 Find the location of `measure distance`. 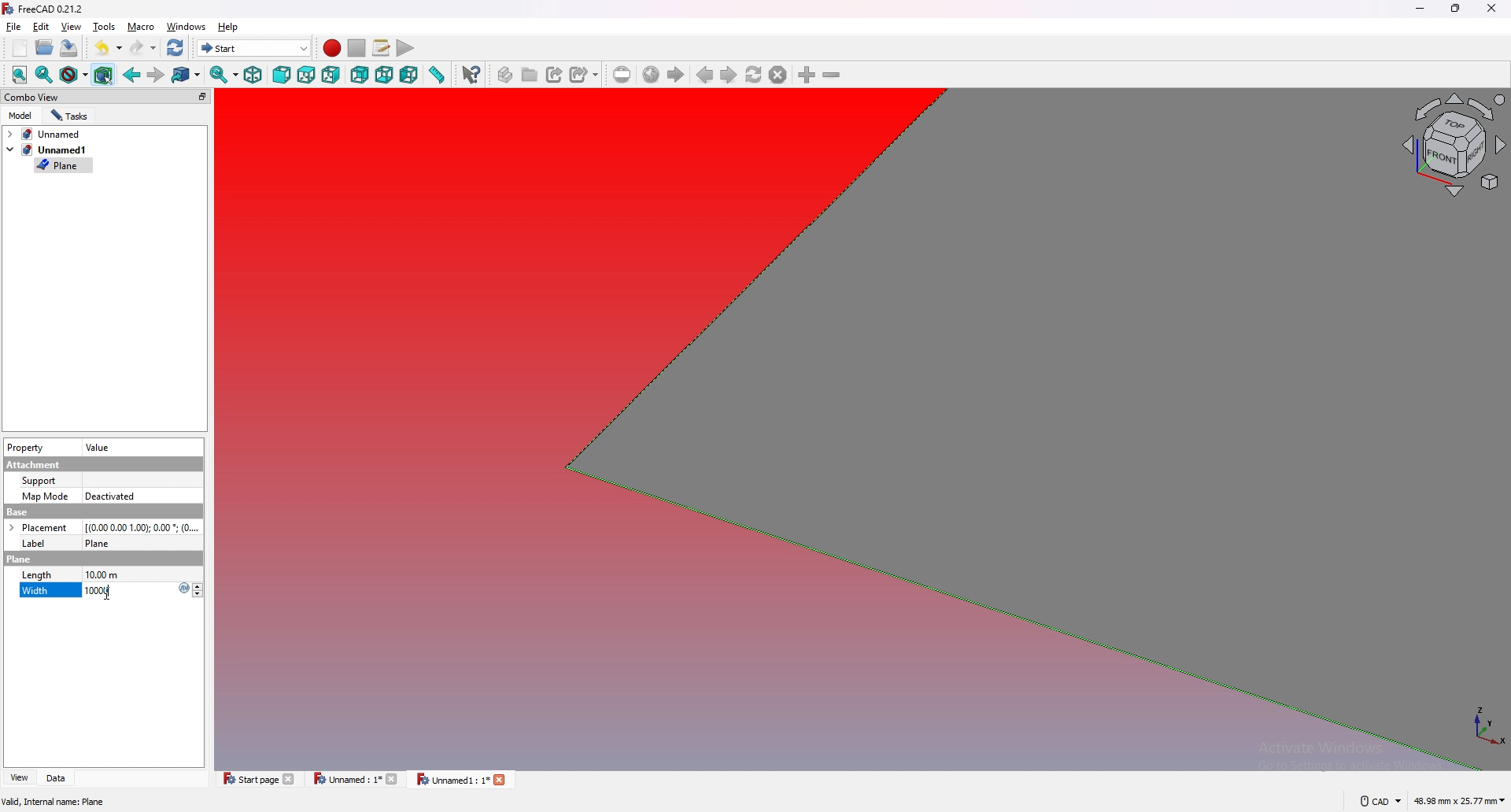

measure distance is located at coordinates (436, 74).